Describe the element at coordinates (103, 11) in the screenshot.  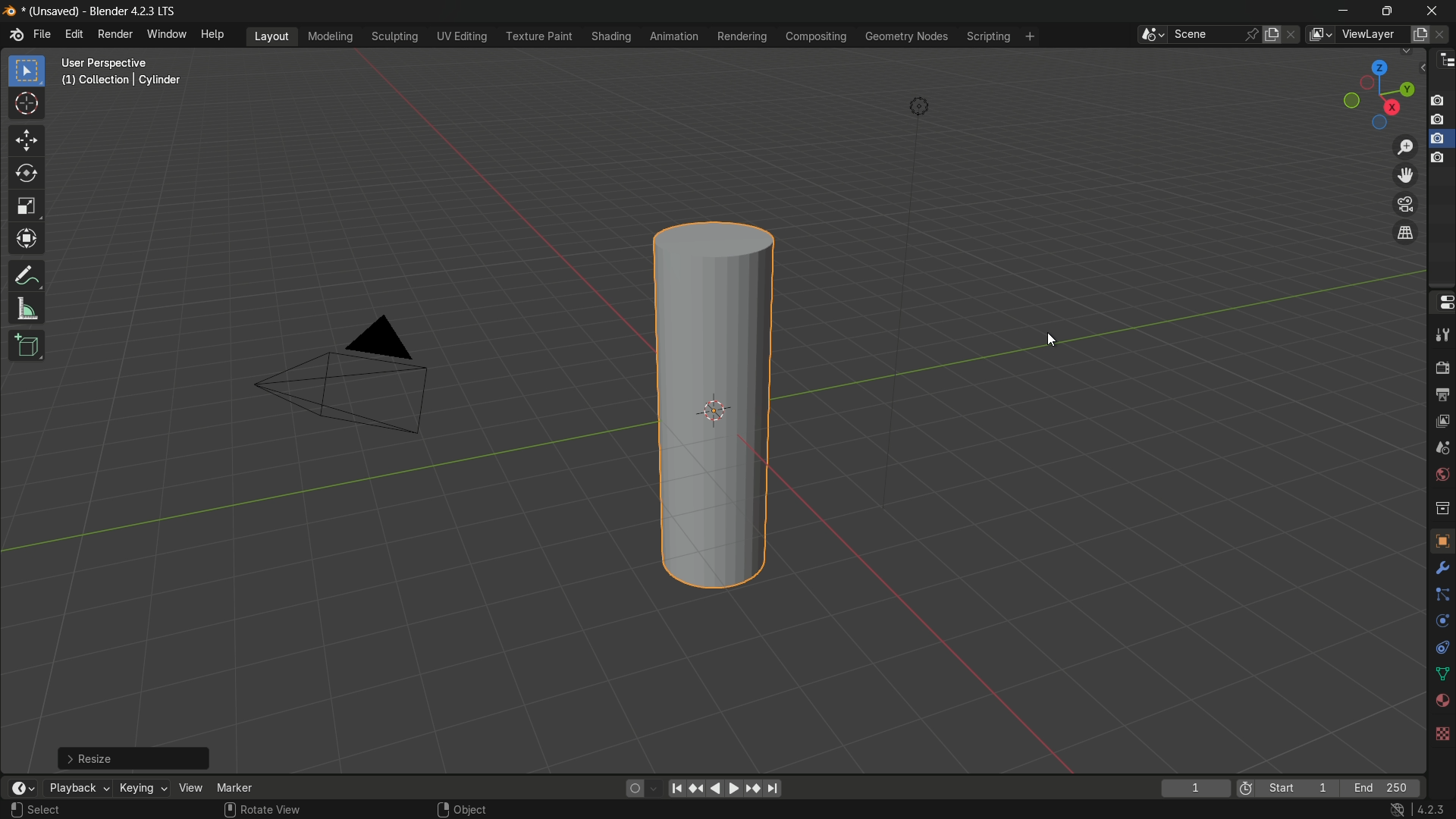
I see `* (Unsaved) - Blender 4.2.3 LTS` at that location.